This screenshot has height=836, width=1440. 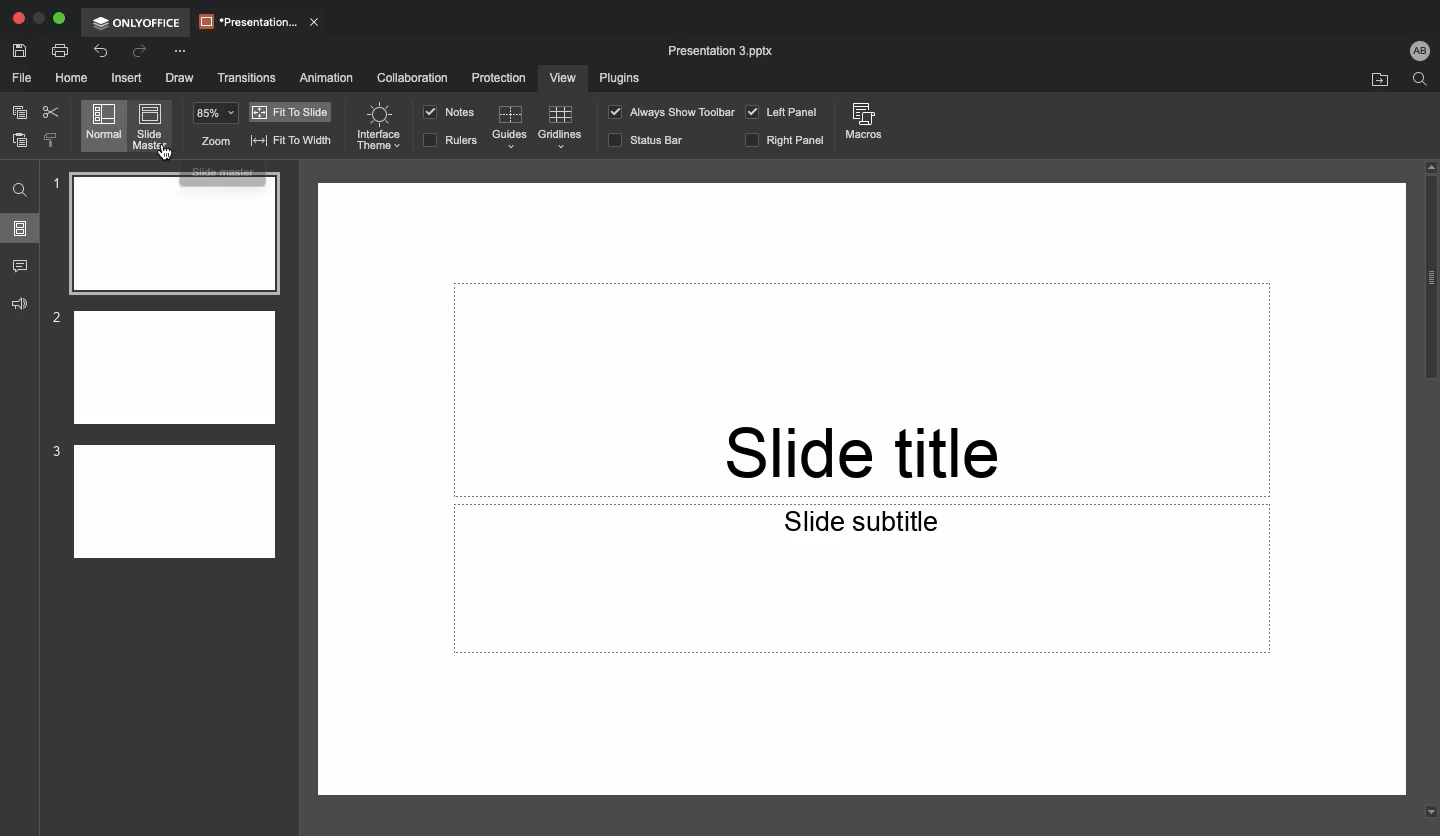 What do you see at coordinates (139, 22) in the screenshot?
I see `OnlyOffice` at bounding box center [139, 22].